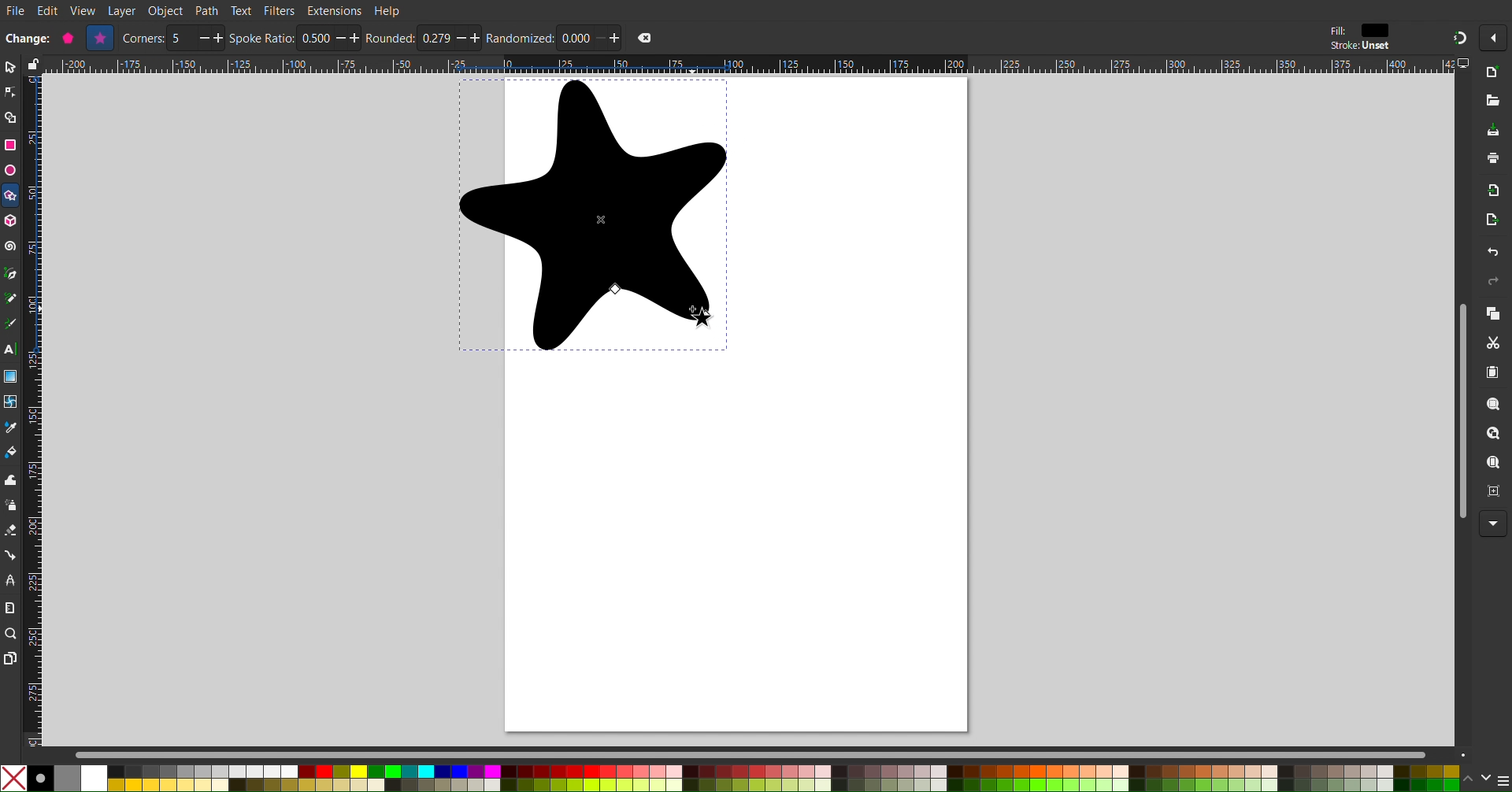 The height and width of the screenshot is (792, 1512). I want to click on Zoom Selection, so click(1495, 406).